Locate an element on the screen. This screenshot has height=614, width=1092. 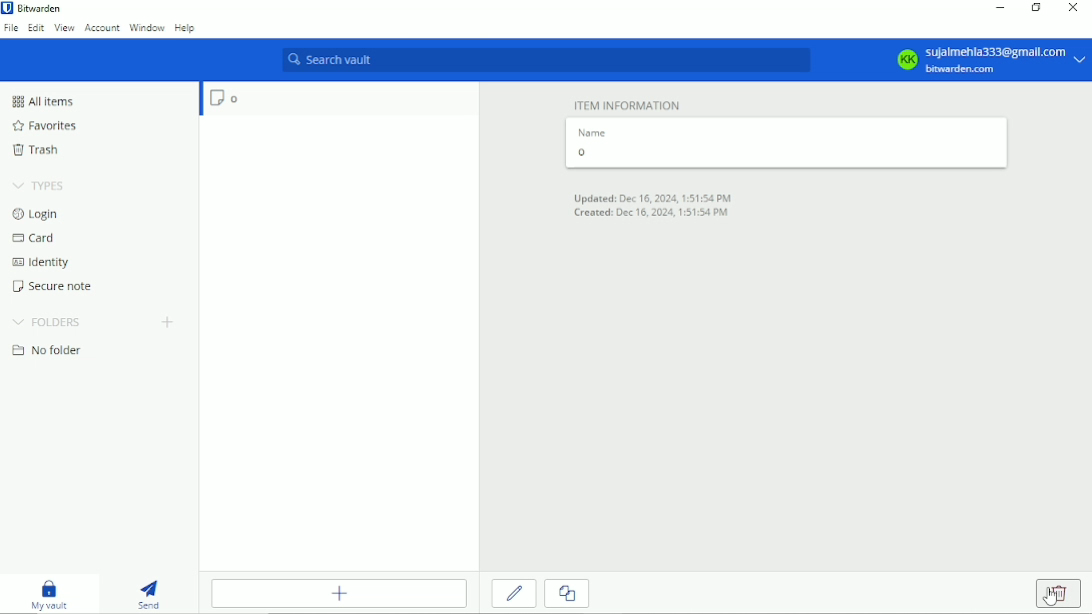
Item information is located at coordinates (629, 104).